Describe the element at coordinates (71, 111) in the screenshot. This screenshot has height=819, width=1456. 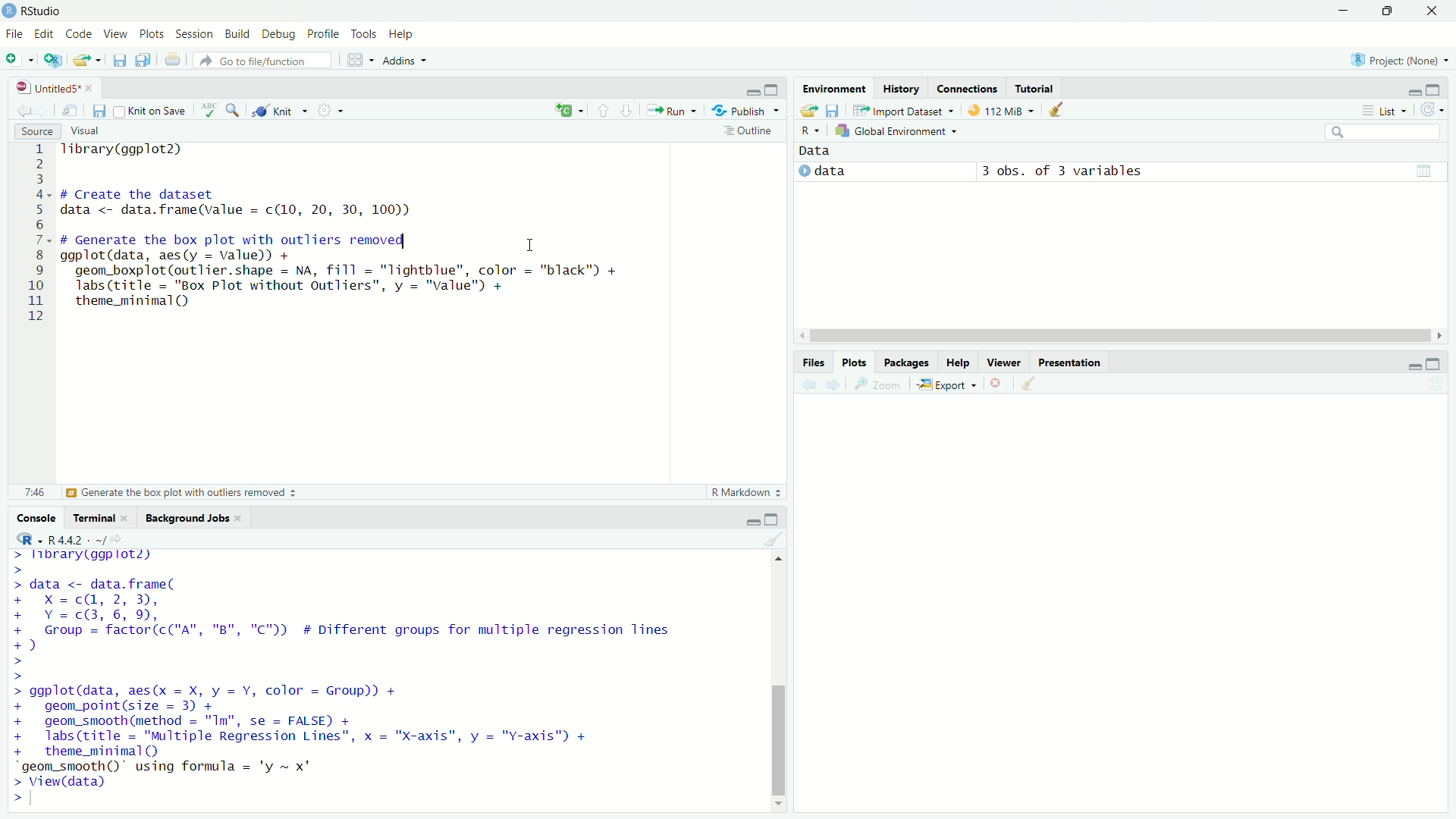
I see `move` at that location.